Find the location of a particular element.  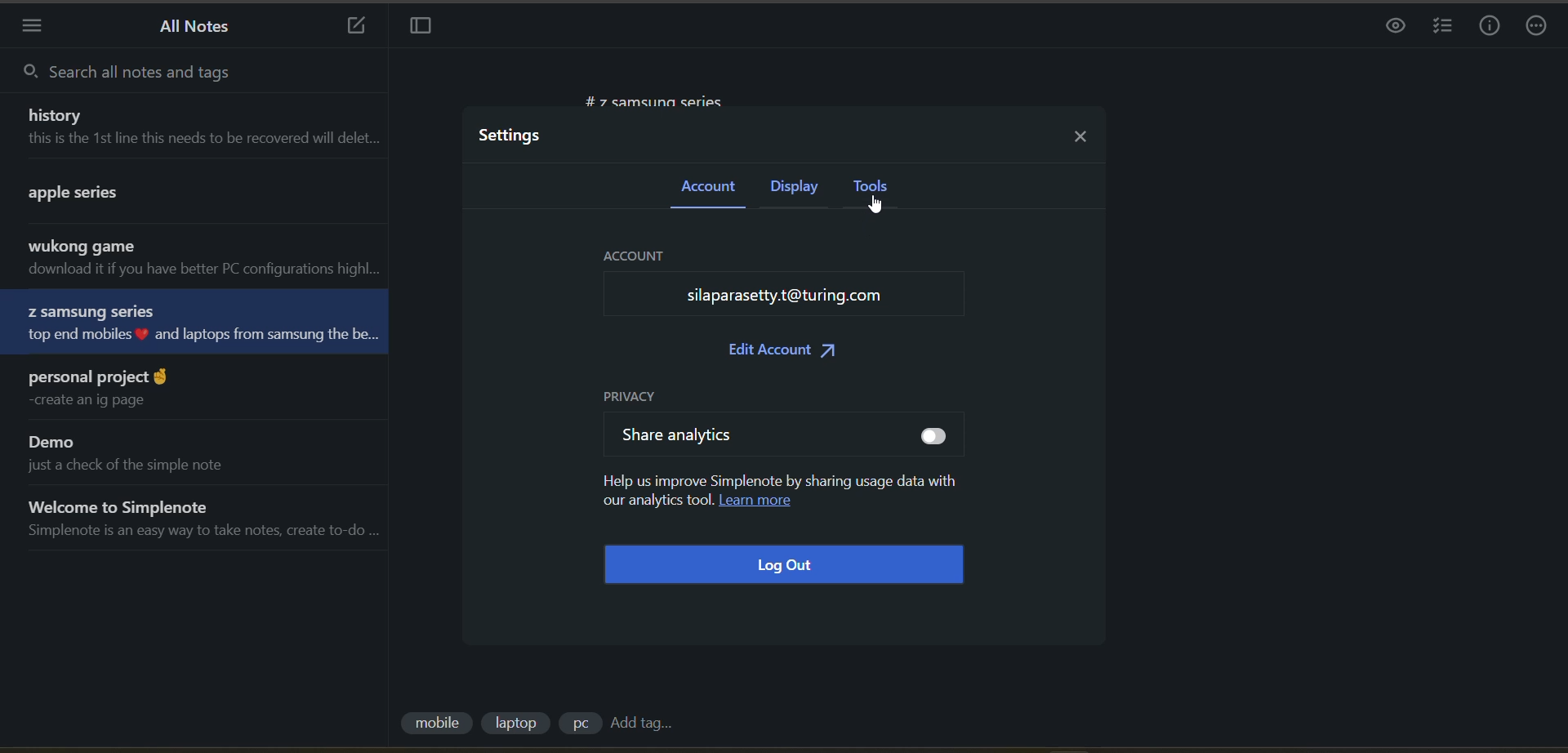

add tag is located at coordinates (647, 724).